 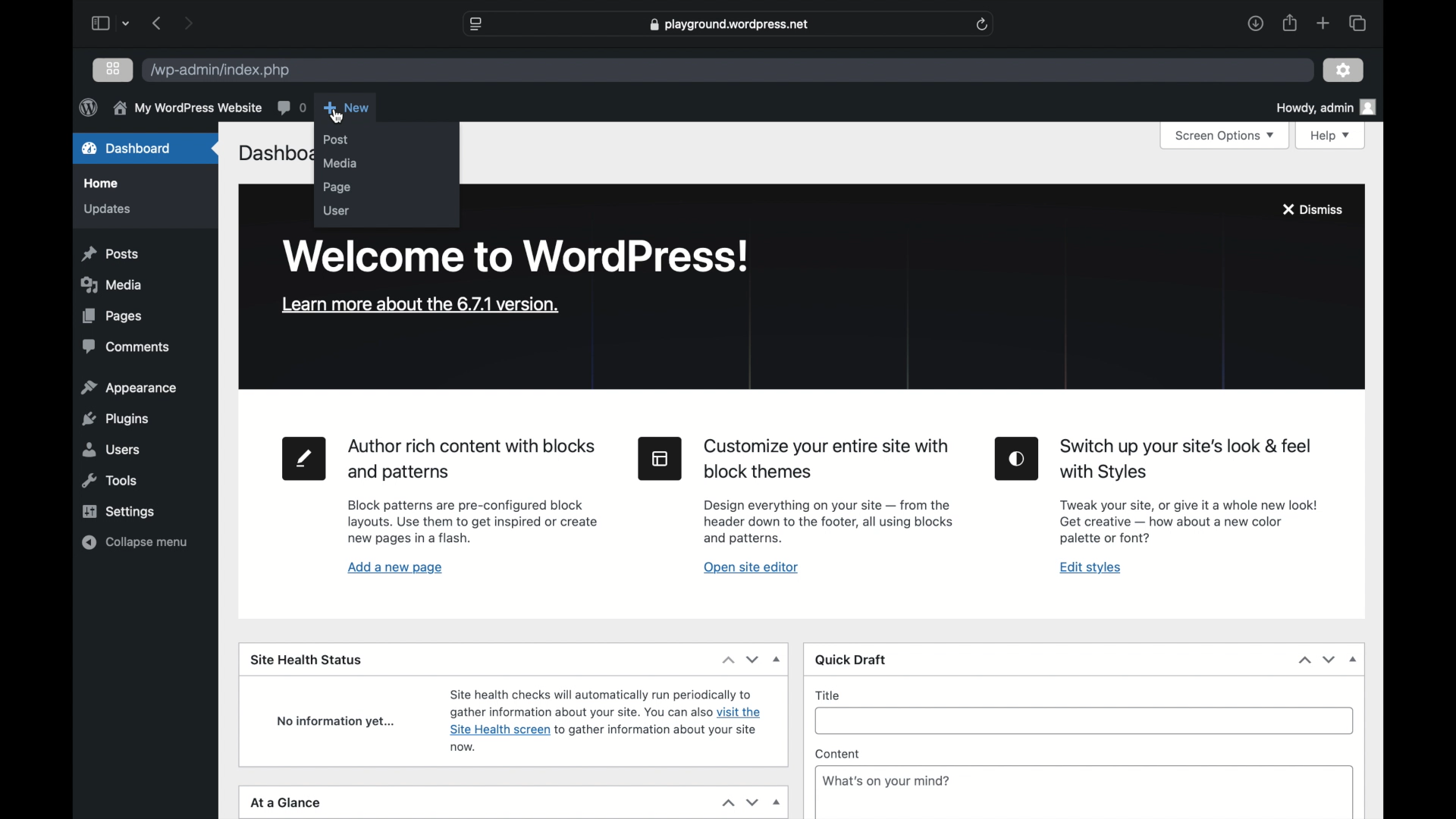 What do you see at coordinates (740, 802) in the screenshot?
I see `stepper buttons` at bounding box center [740, 802].